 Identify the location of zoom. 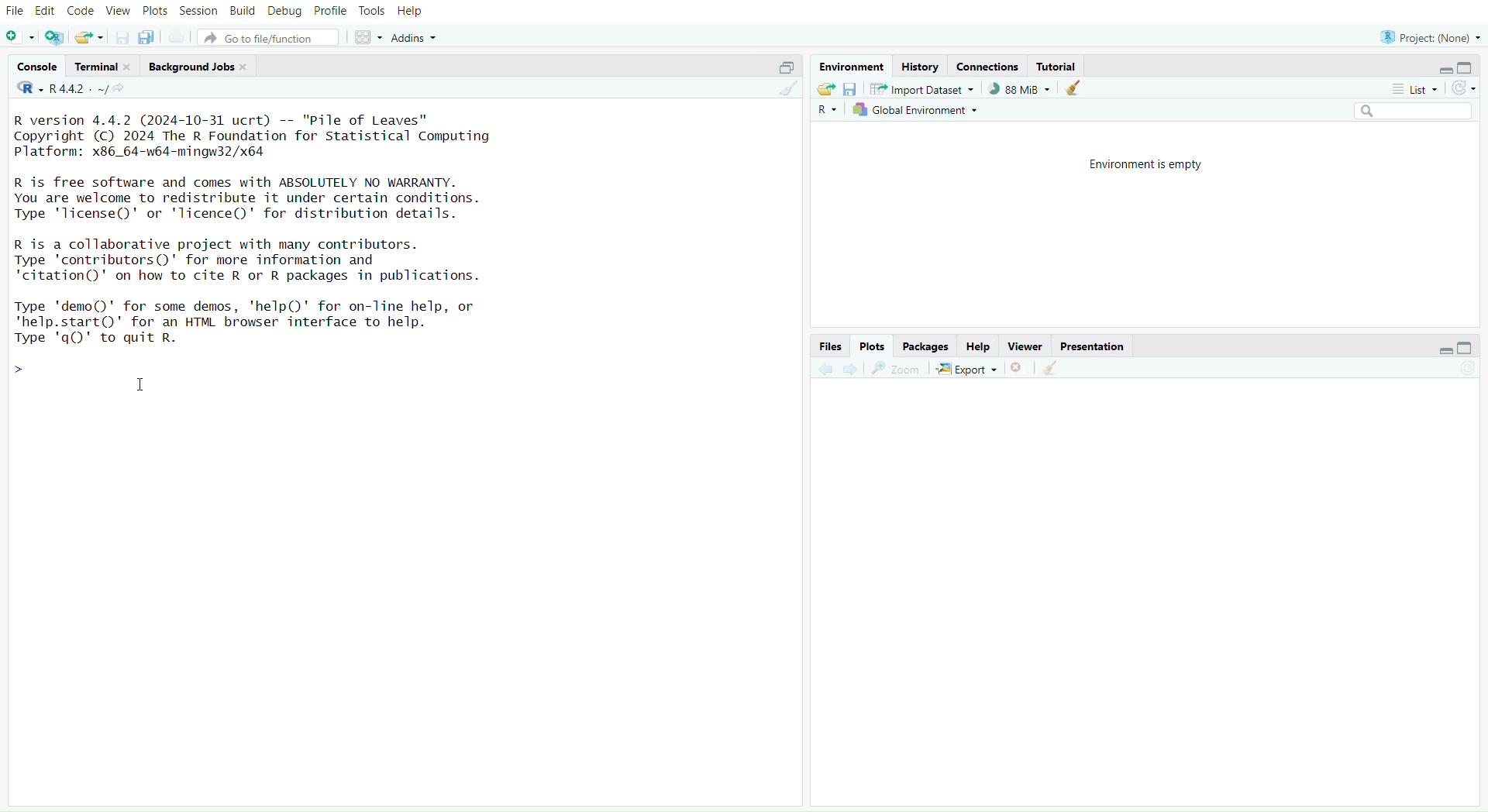
(897, 369).